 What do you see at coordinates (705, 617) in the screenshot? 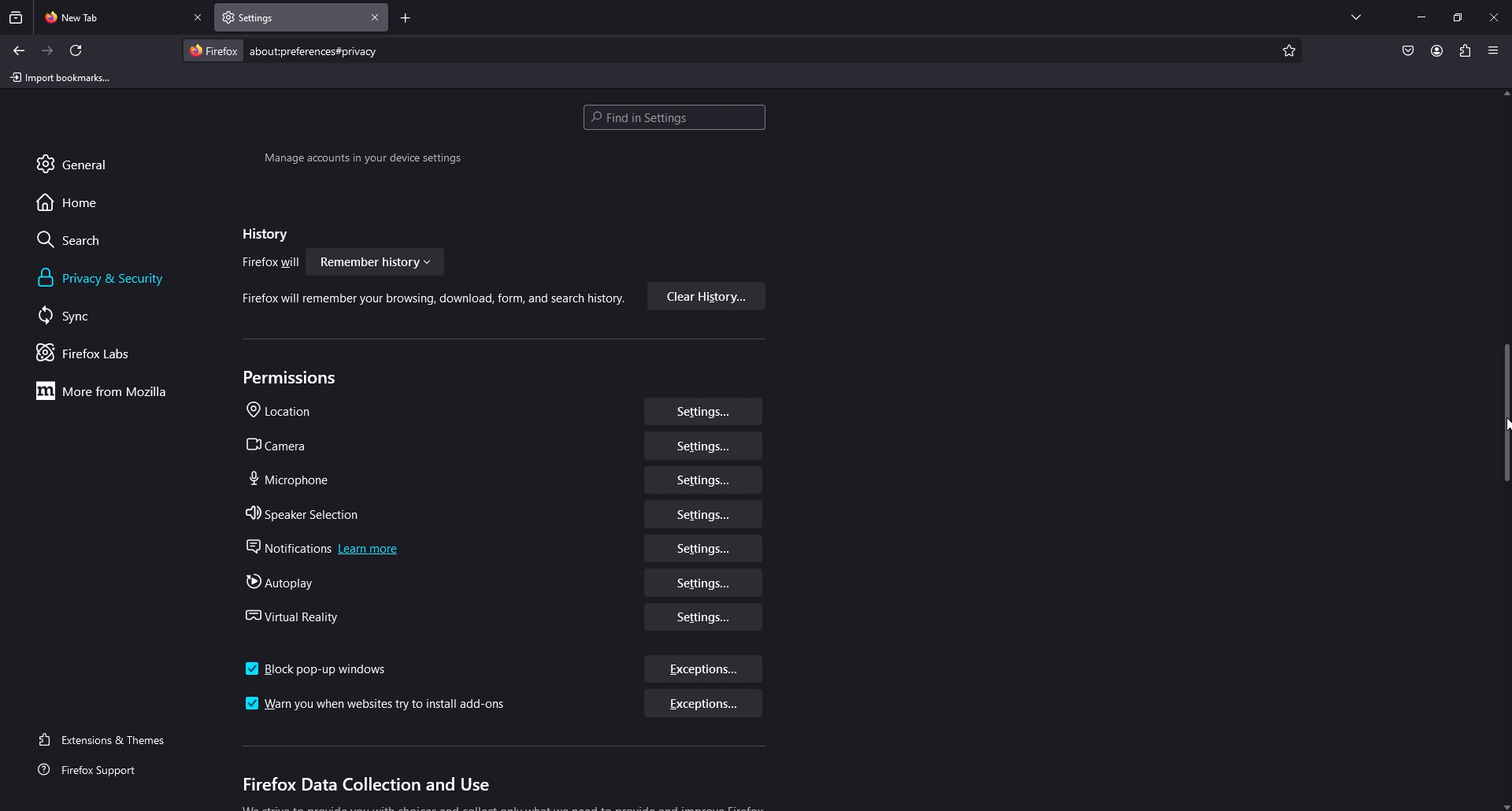
I see `settings` at bounding box center [705, 617].